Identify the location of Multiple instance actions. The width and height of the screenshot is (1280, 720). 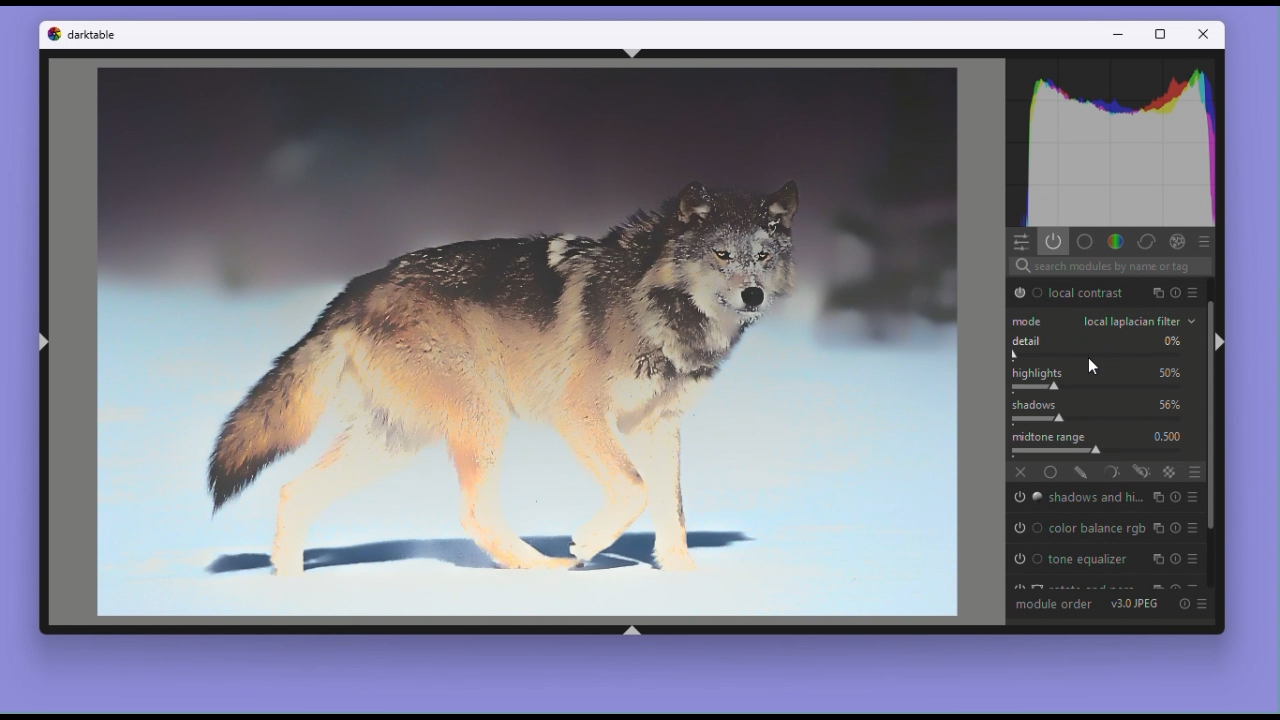
(1156, 559).